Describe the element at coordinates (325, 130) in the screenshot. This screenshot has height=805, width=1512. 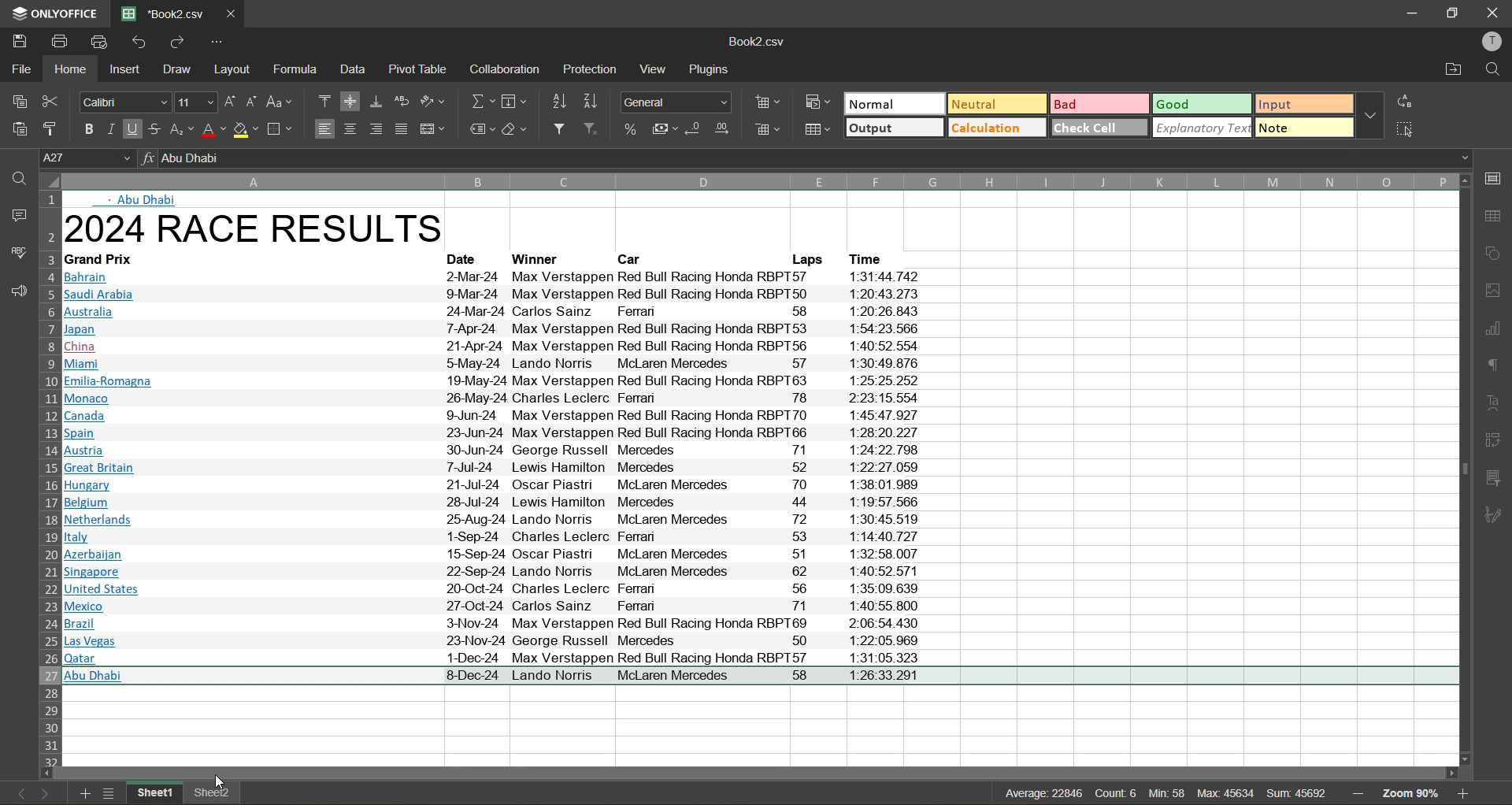
I see `align left` at that location.